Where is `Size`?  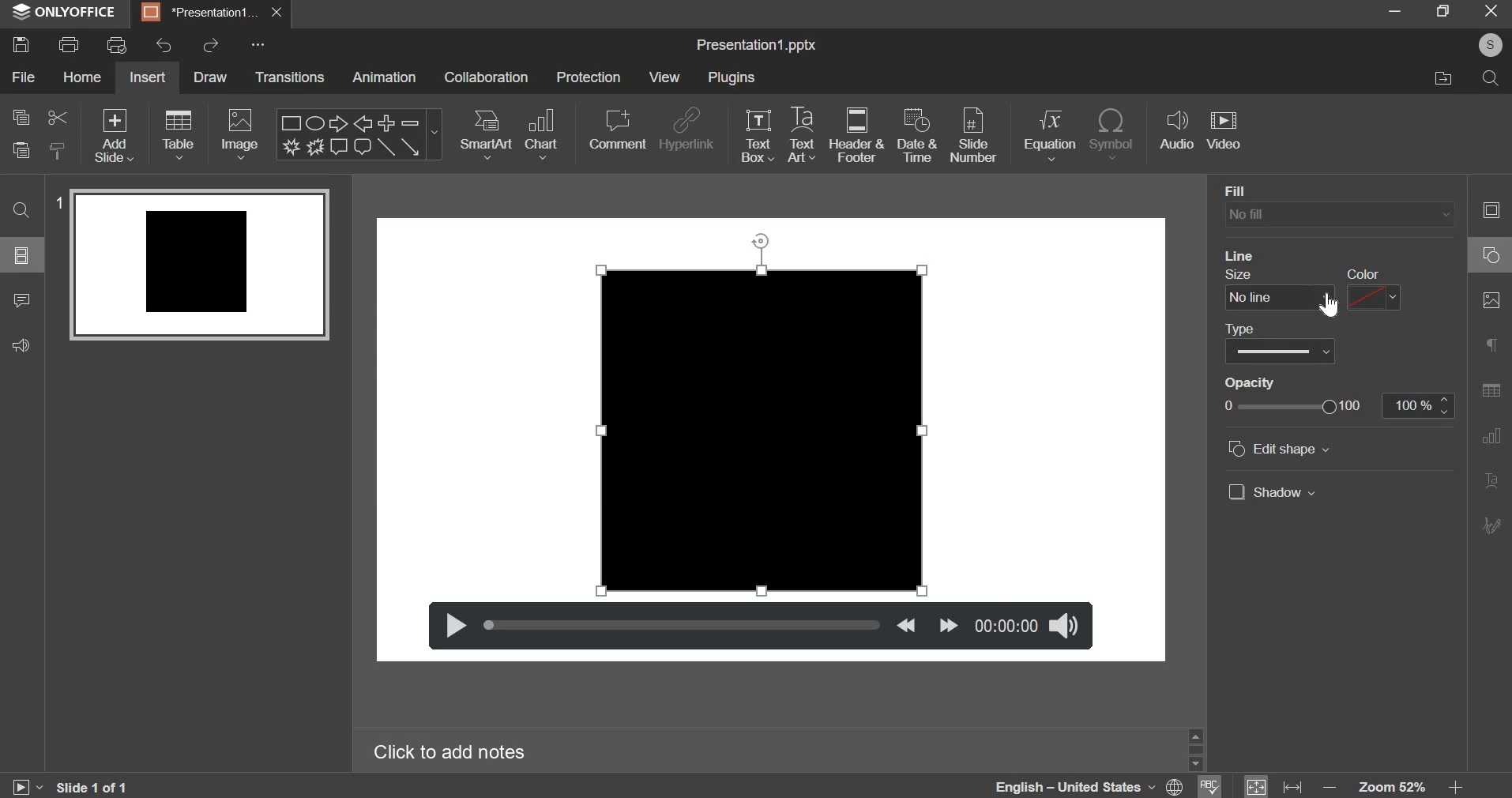
Size is located at coordinates (1244, 274).